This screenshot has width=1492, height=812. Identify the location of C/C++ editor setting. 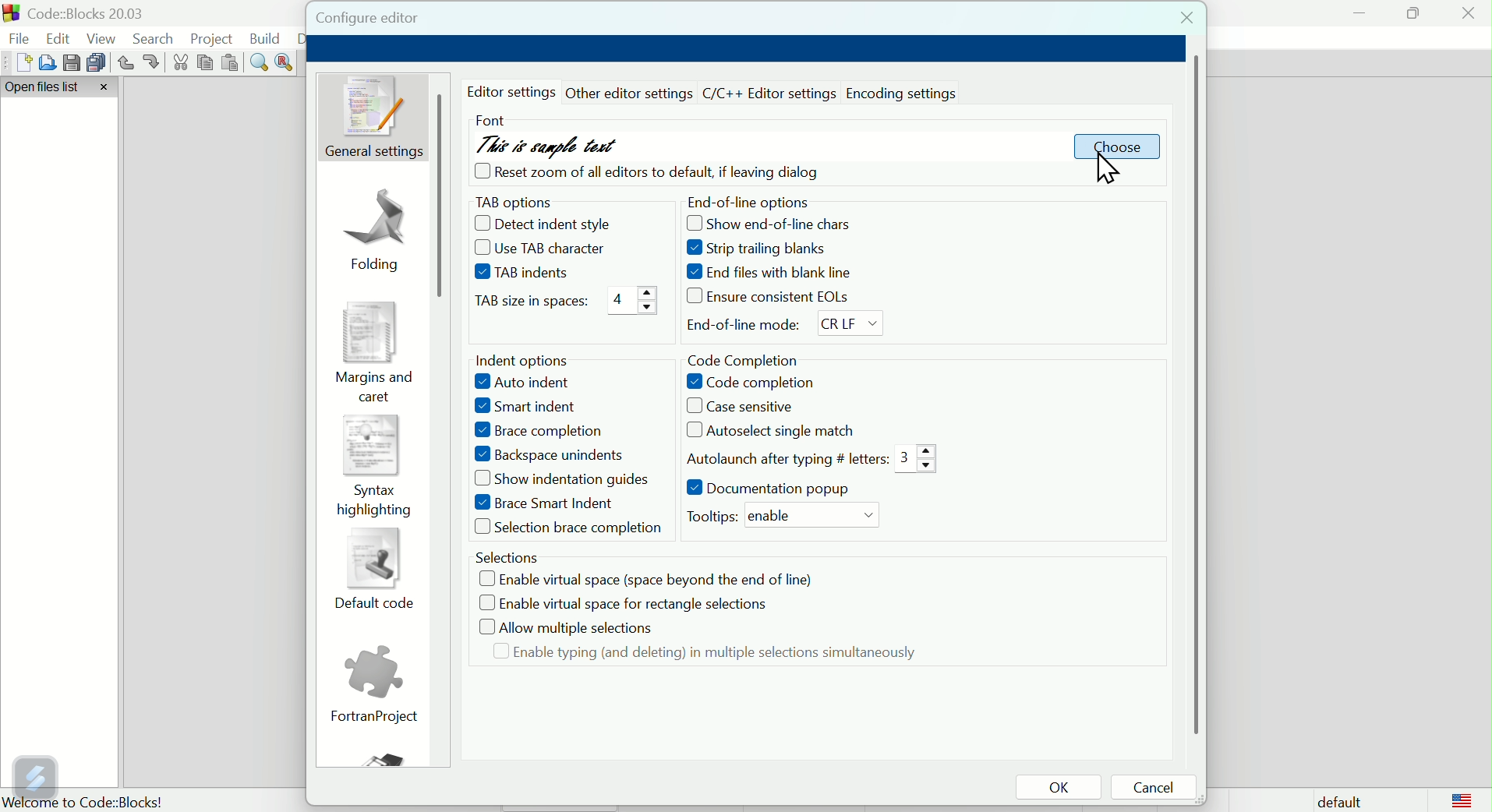
(770, 94).